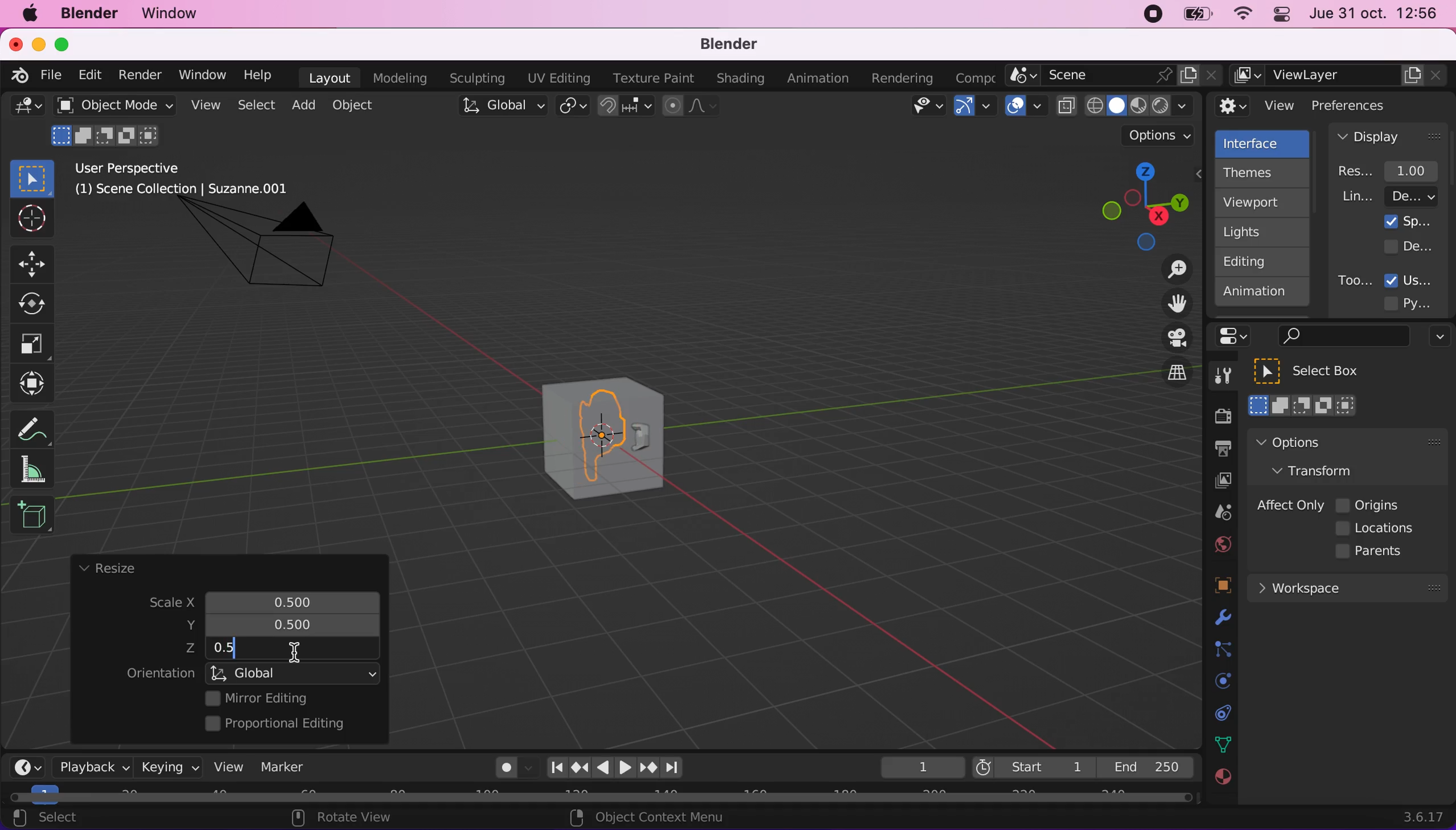 The height and width of the screenshot is (830, 1456). I want to click on select box mode, so click(1303, 405).